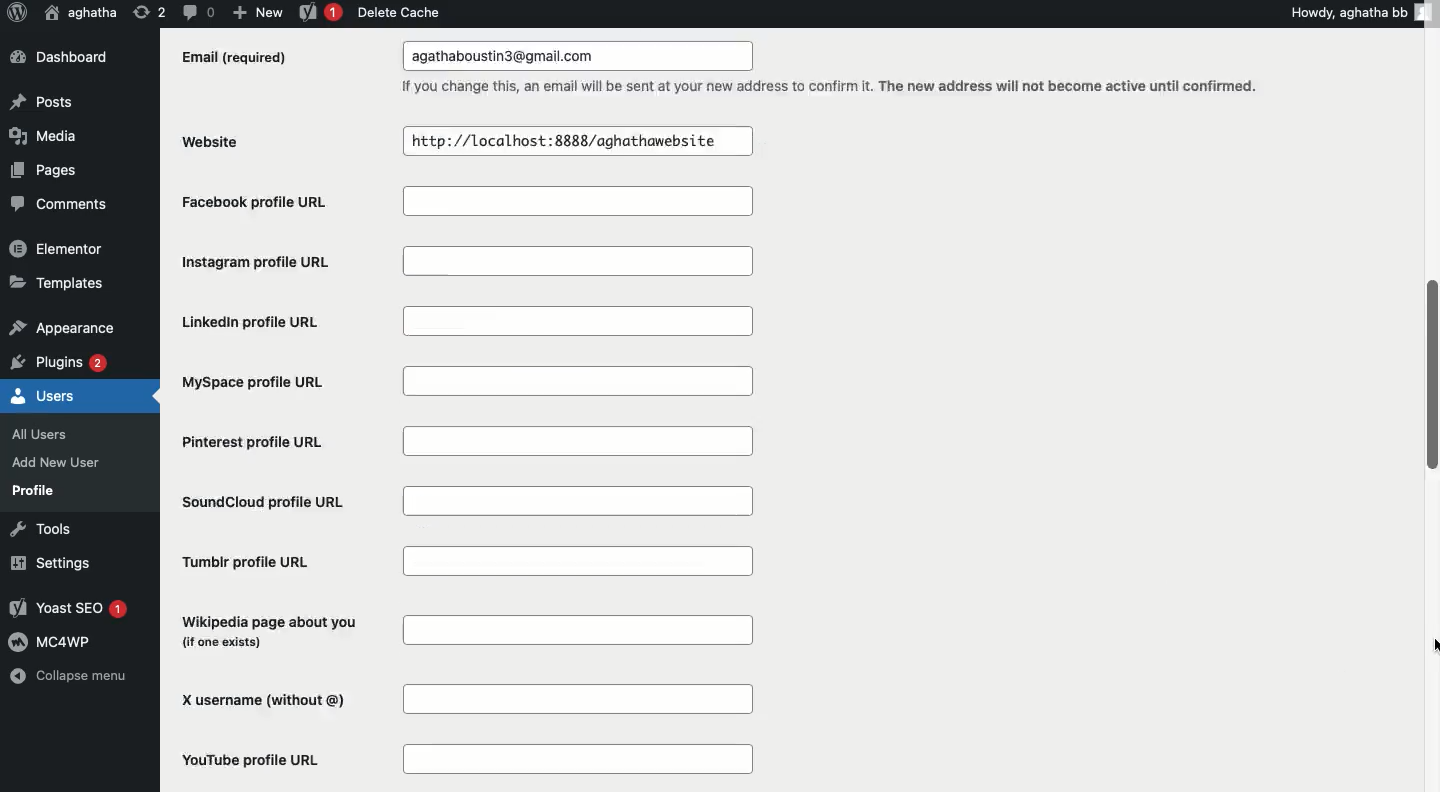 This screenshot has width=1440, height=792. What do you see at coordinates (462, 700) in the screenshot?
I see `X username` at bounding box center [462, 700].